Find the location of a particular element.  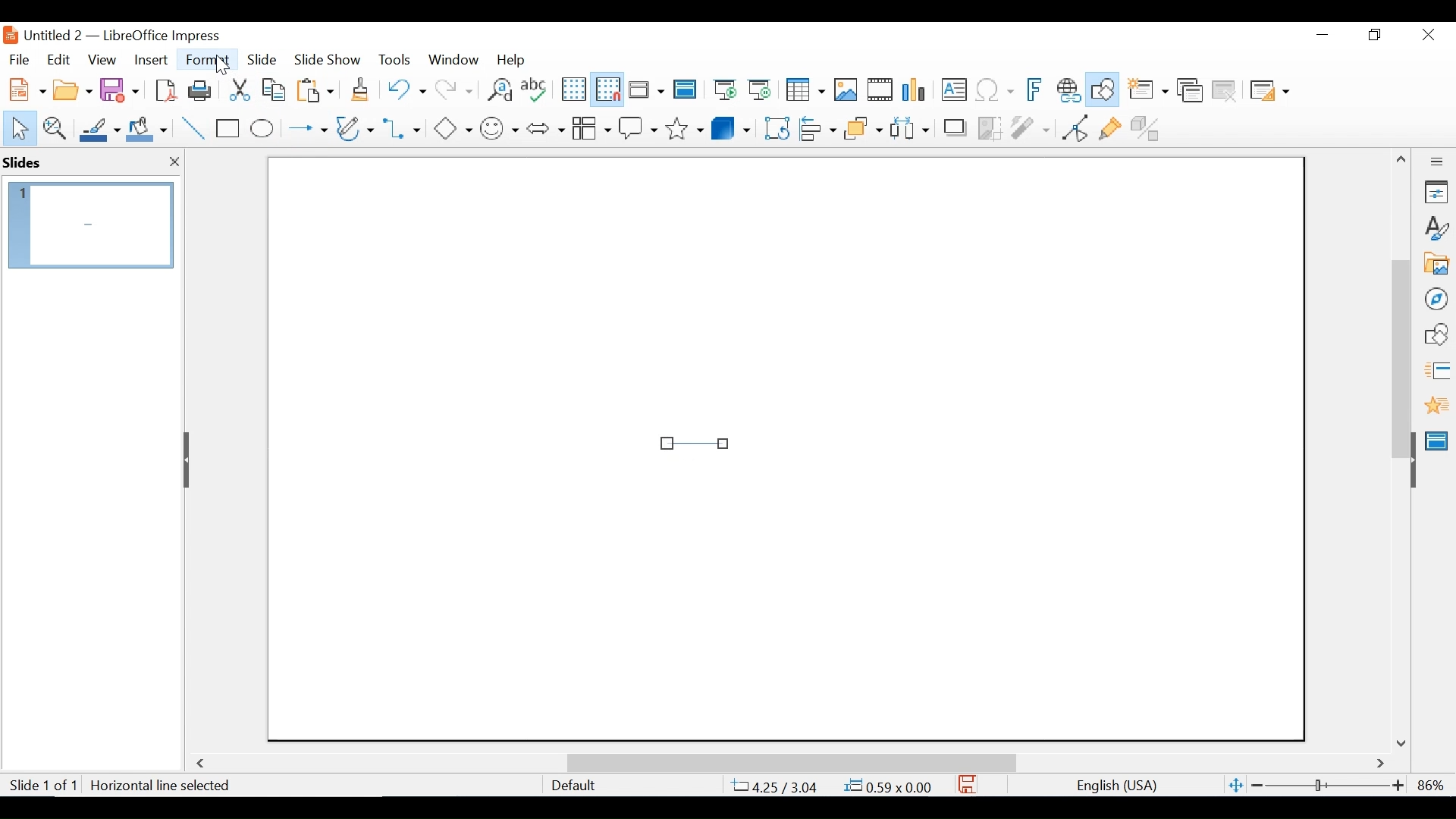

Zoom & Pan is located at coordinates (54, 127).